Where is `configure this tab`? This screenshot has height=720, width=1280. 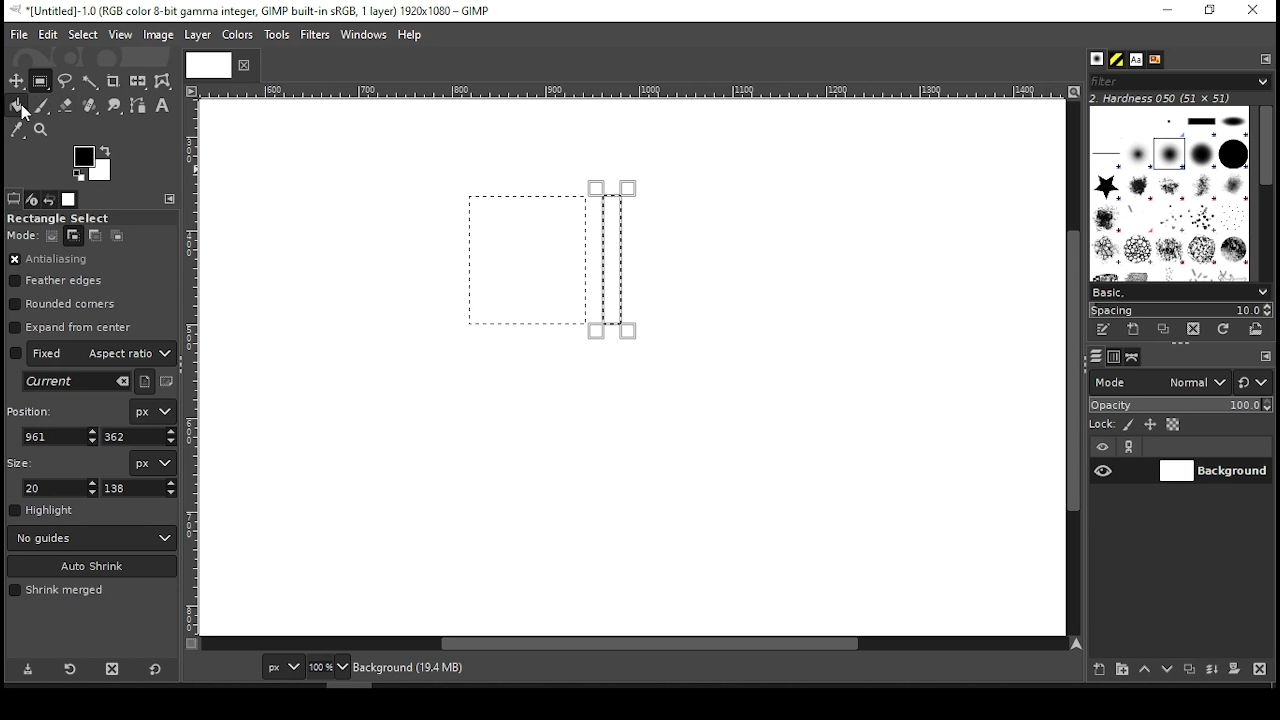
configure this tab is located at coordinates (1266, 358).